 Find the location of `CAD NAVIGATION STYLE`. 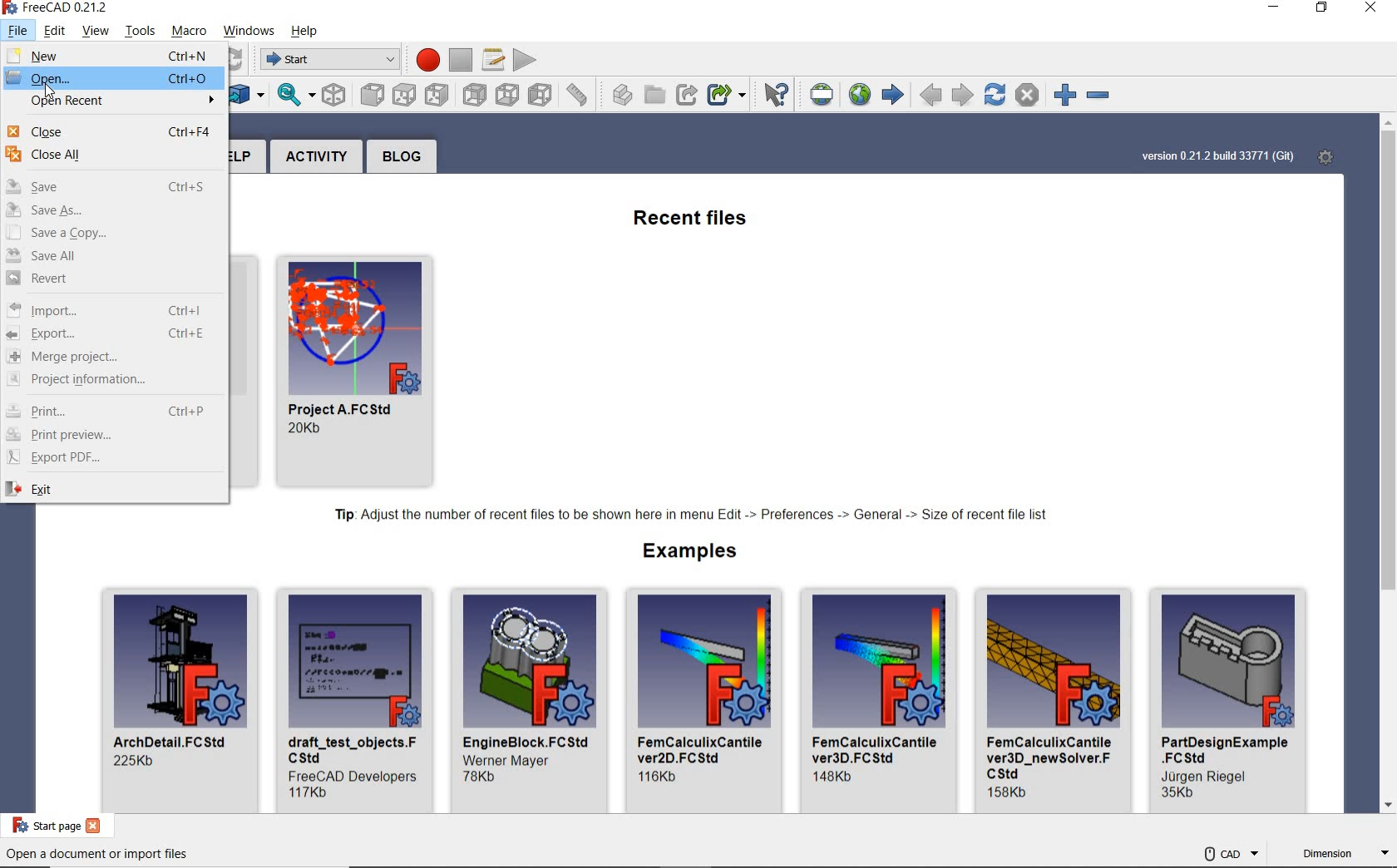

CAD NAVIGATION STYLE is located at coordinates (1230, 853).